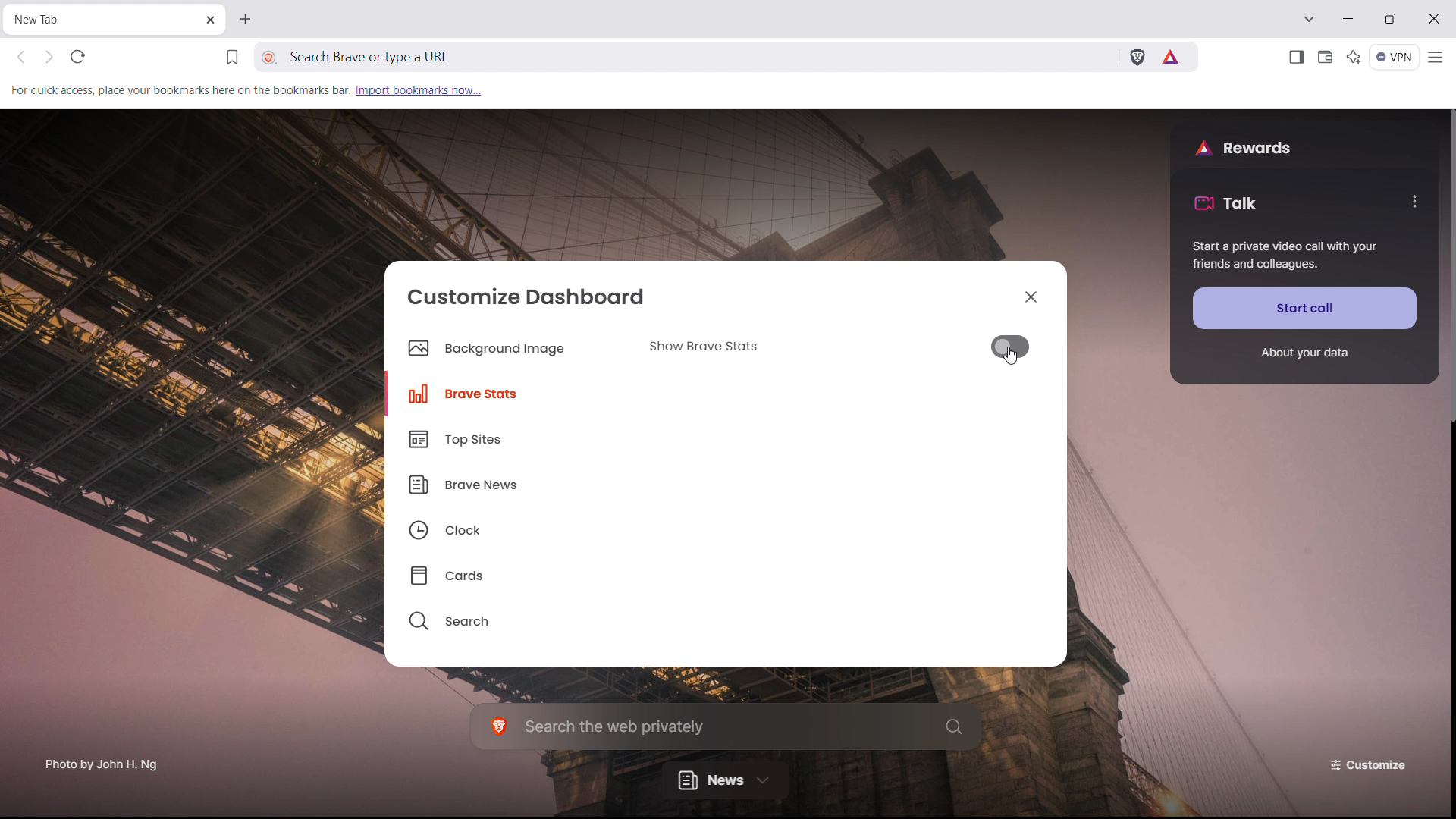 The image size is (1456, 819). What do you see at coordinates (725, 779) in the screenshot?
I see `news` at bounding box center [725, 779].